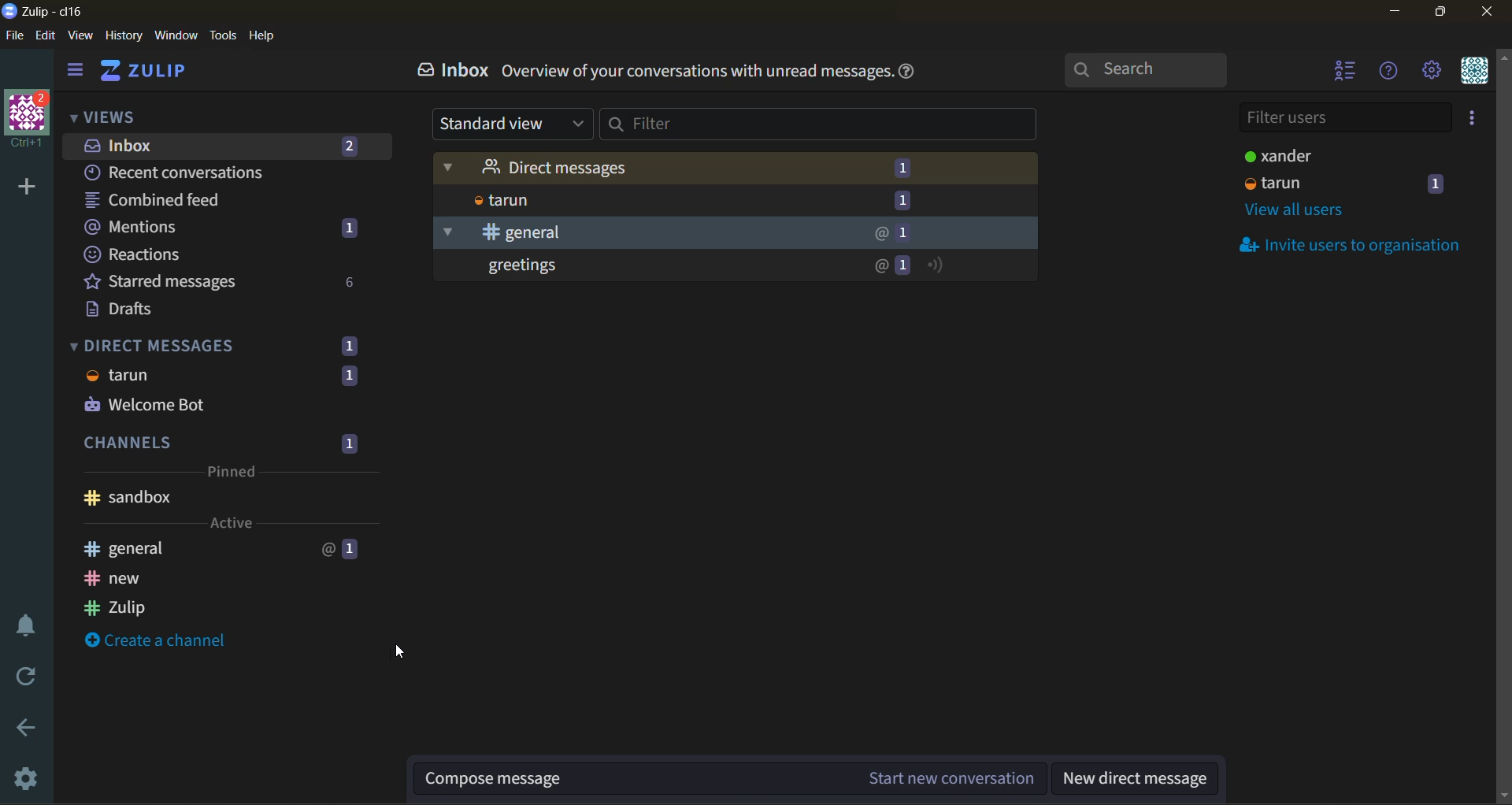 This screenshot has width=1512, height=805. Describe the element at coordinates (1347, 184) in the screenshot. I see `users and status` at that location.